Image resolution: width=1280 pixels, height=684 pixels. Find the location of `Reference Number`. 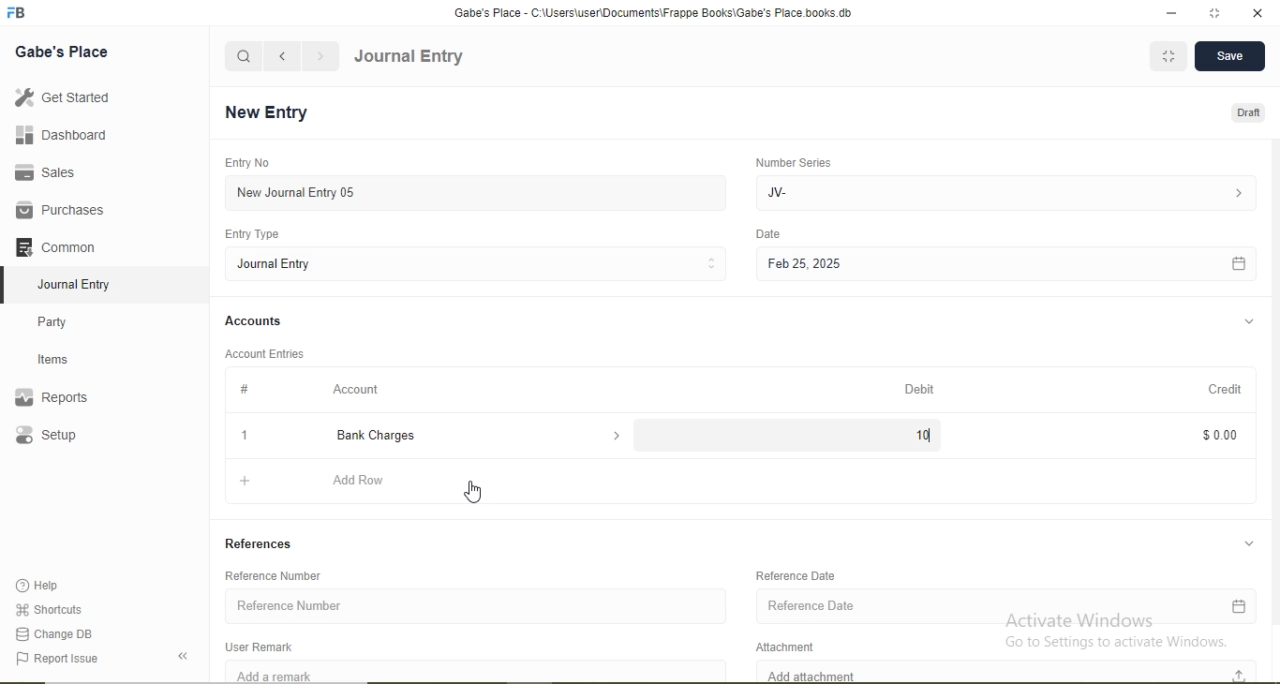

Reference Number is located at coordinates (476, 603).